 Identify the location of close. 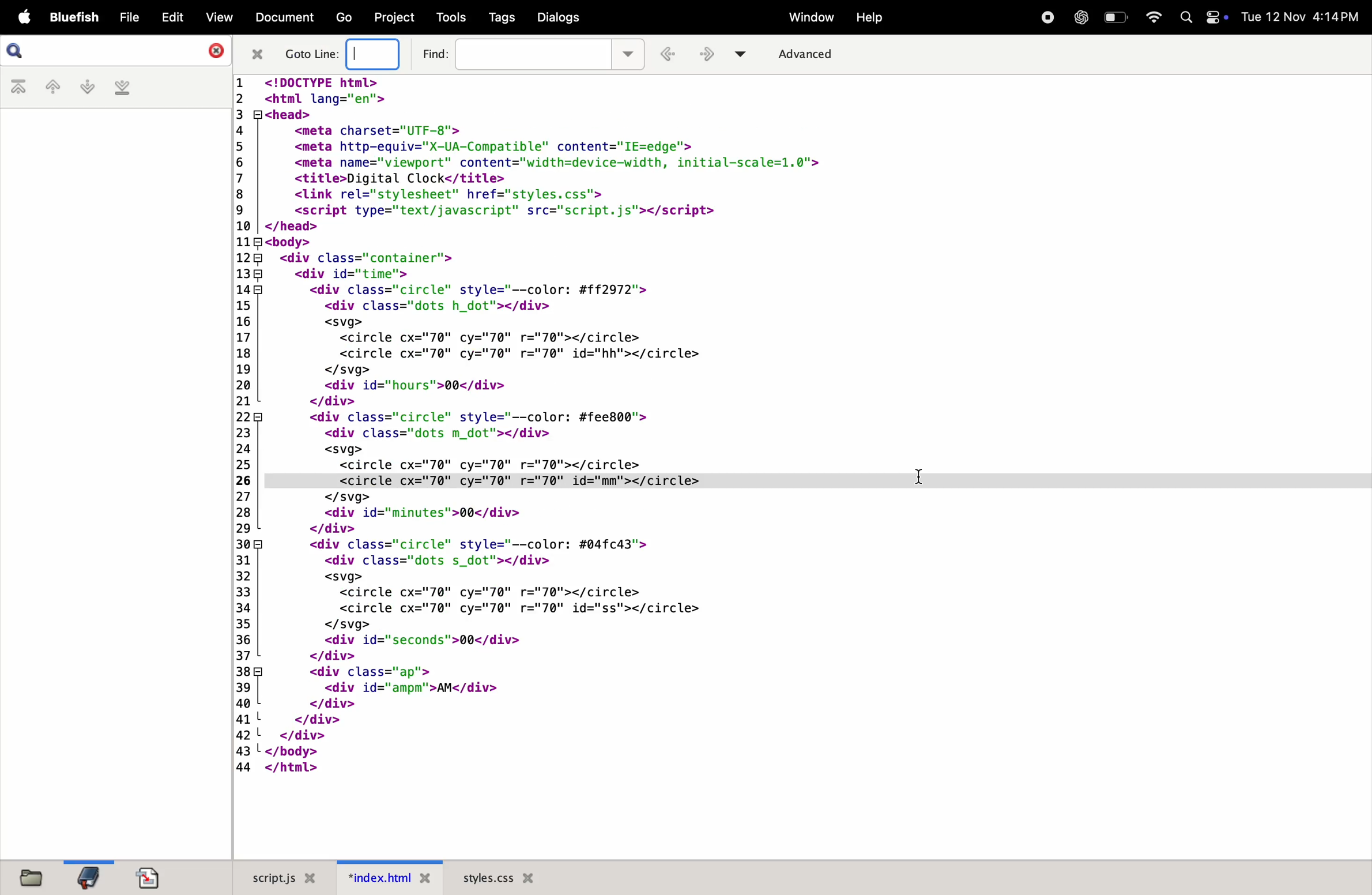
(257, 54).